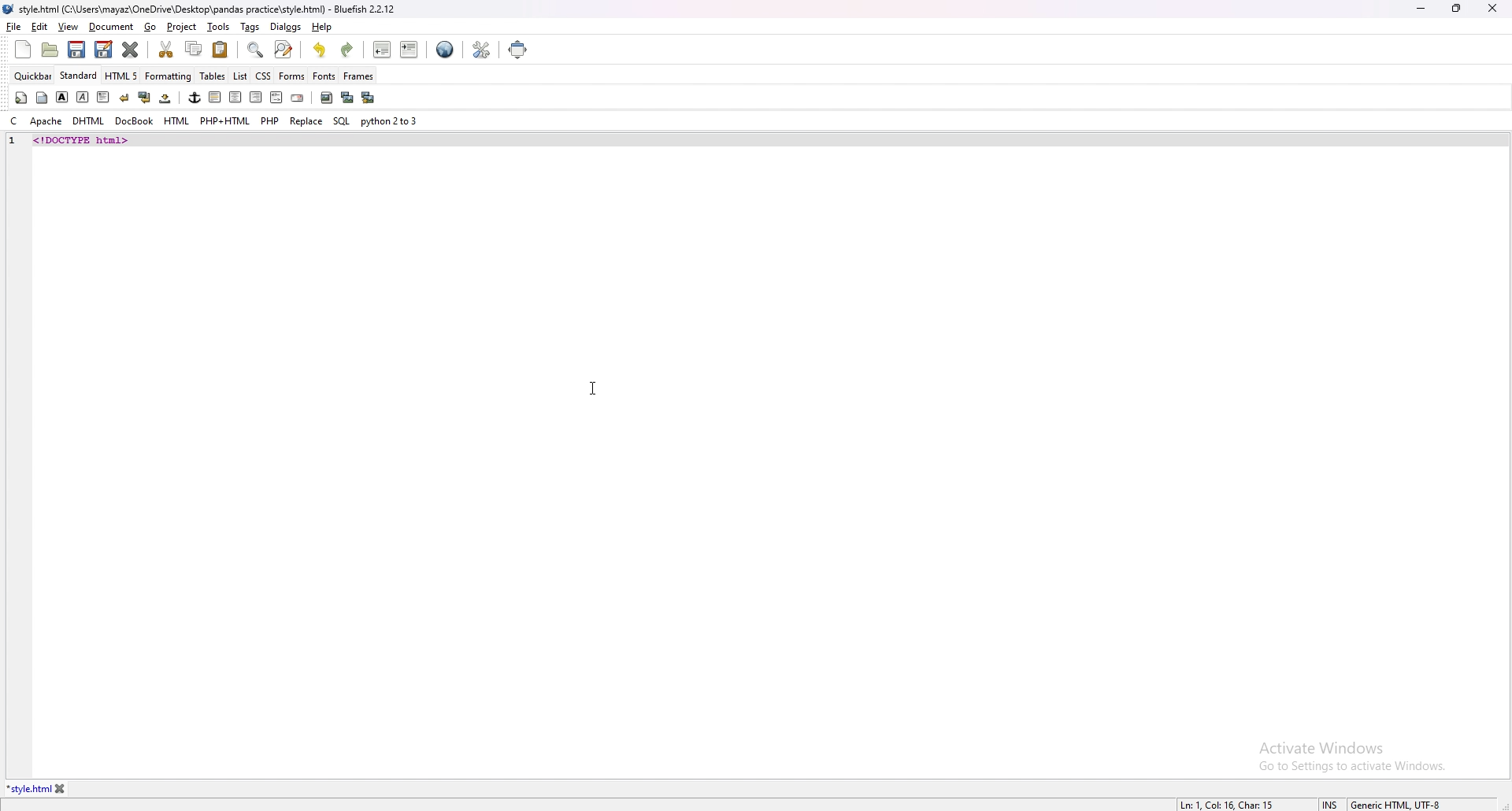 The image size is (1512, 811). What do you see at coordinates (213, 97) in the screenshot?
I see `left indent` at bounding box center [213, 97].